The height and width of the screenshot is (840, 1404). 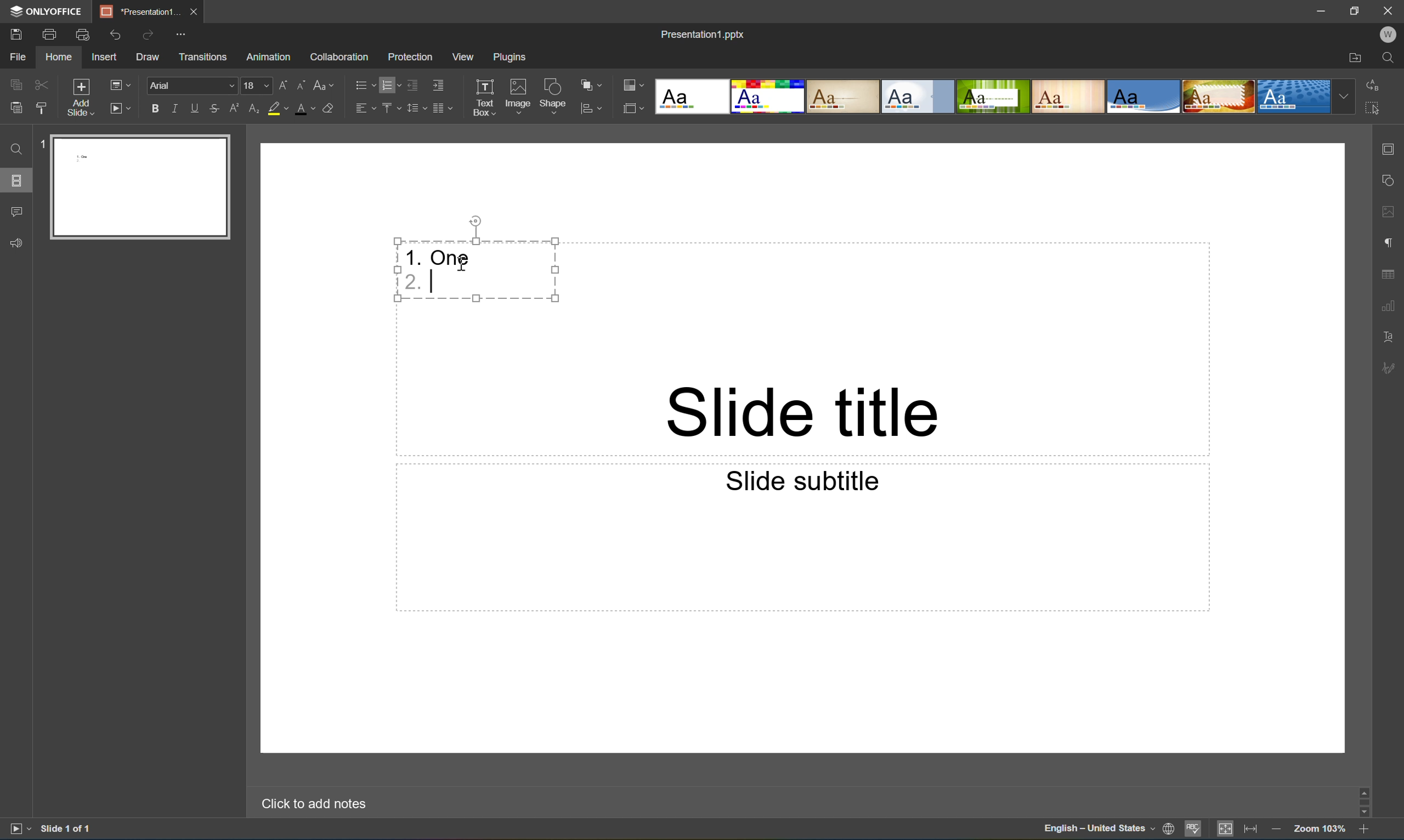 I want to click on Slide subtitle, so click(x=799, y=479).